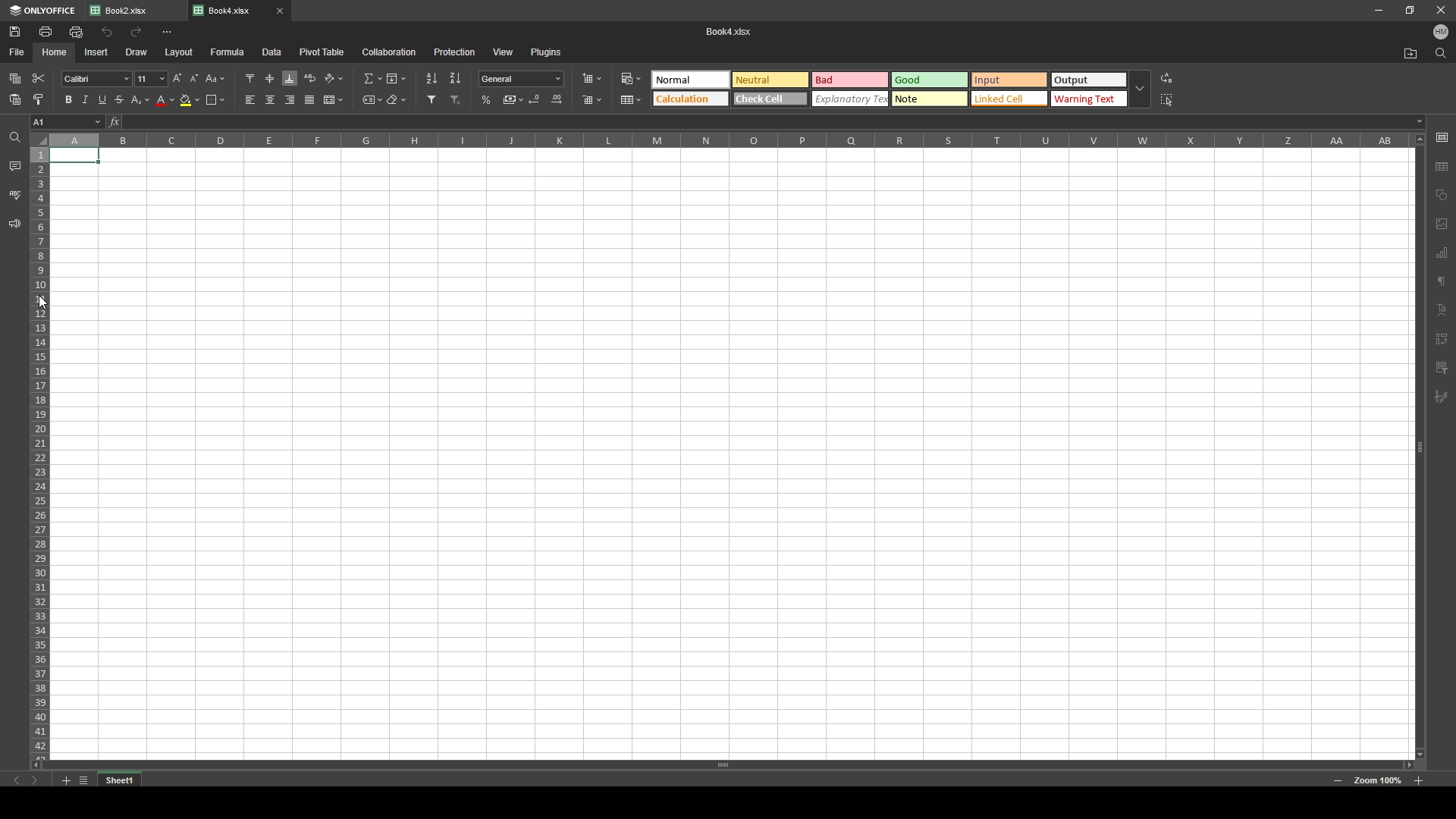  What do you see at coordinates (334, 100) in the screenshot?
I see `merge and center` at bounding box center [334, 100].